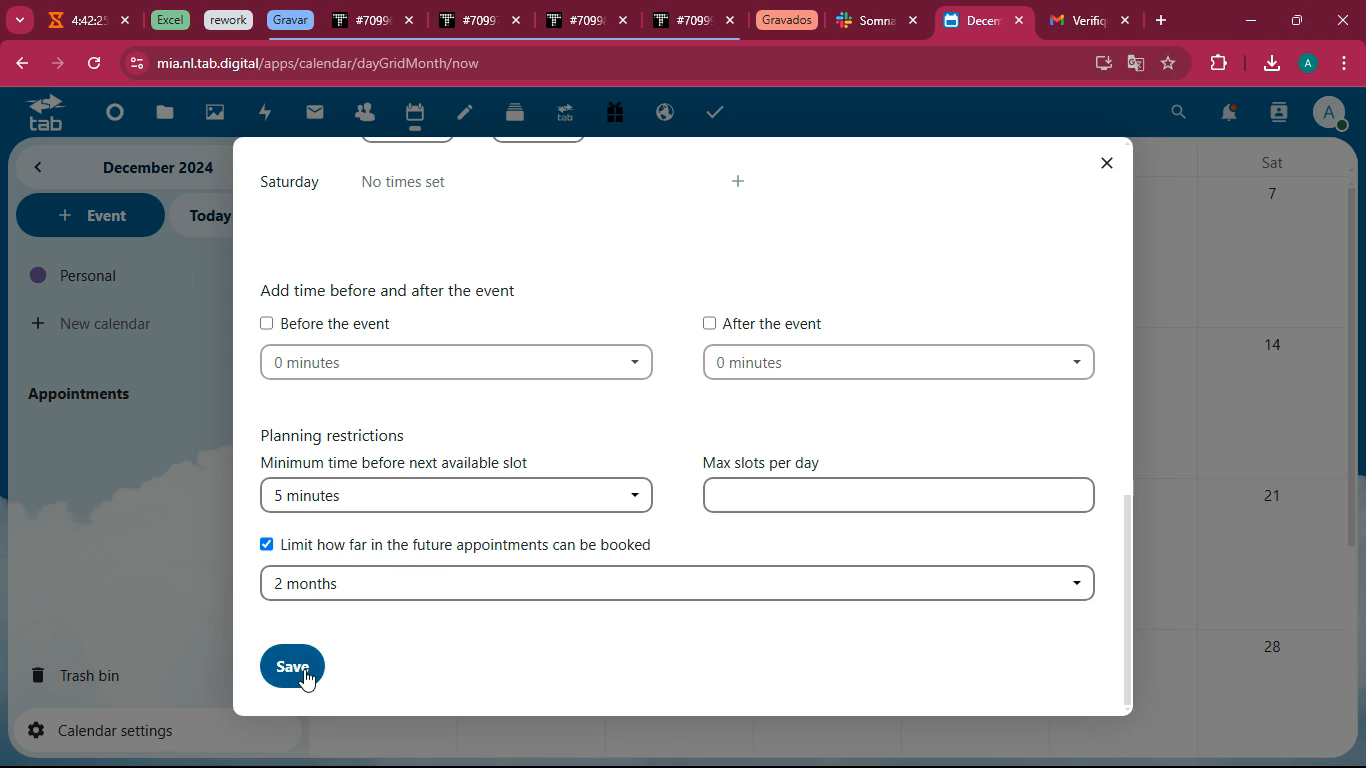  Describe the element at coordinates (1329, 112) in the screenshot. I see `profile` at that location.